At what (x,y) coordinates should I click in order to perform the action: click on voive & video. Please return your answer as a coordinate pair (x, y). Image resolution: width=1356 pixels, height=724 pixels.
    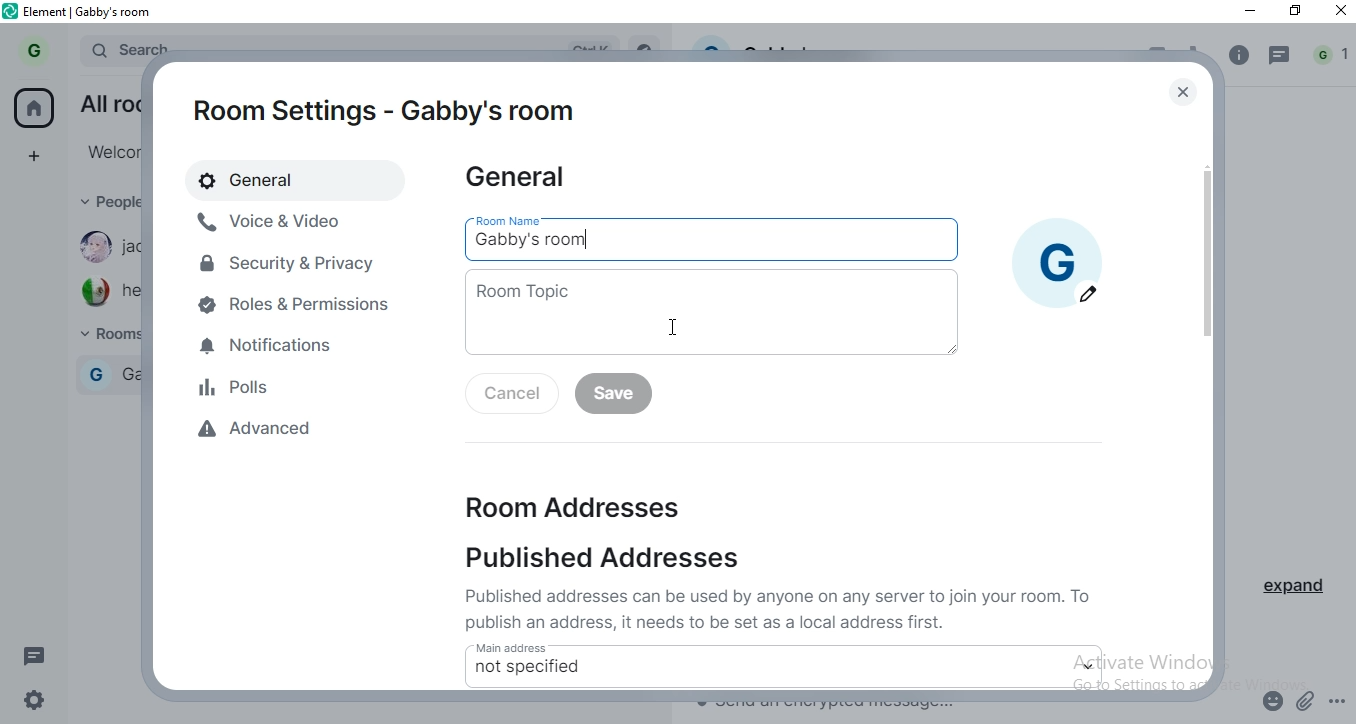
    Looking at the image, I should click on (277, 221).